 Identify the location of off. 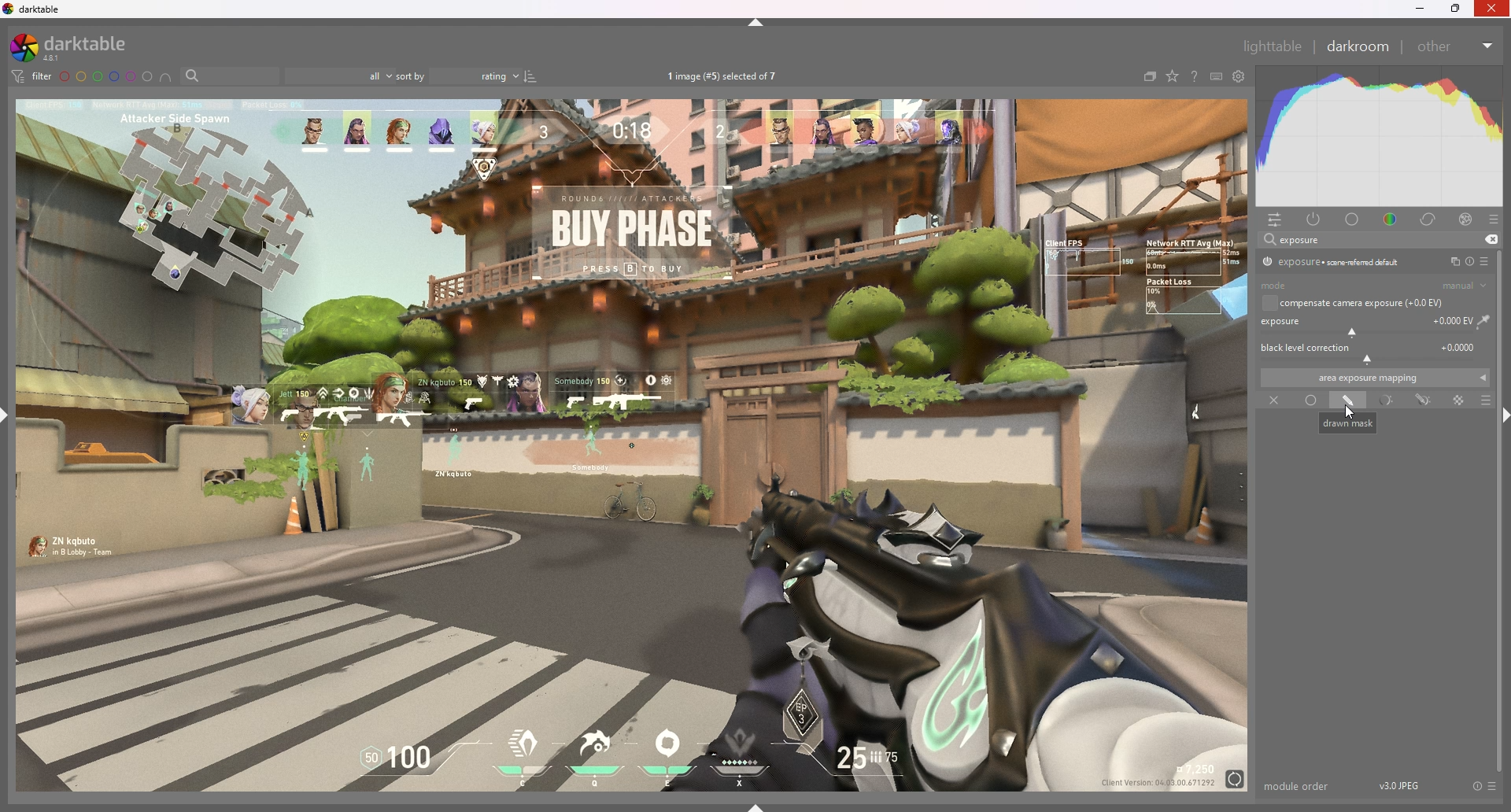
(1272, 401).